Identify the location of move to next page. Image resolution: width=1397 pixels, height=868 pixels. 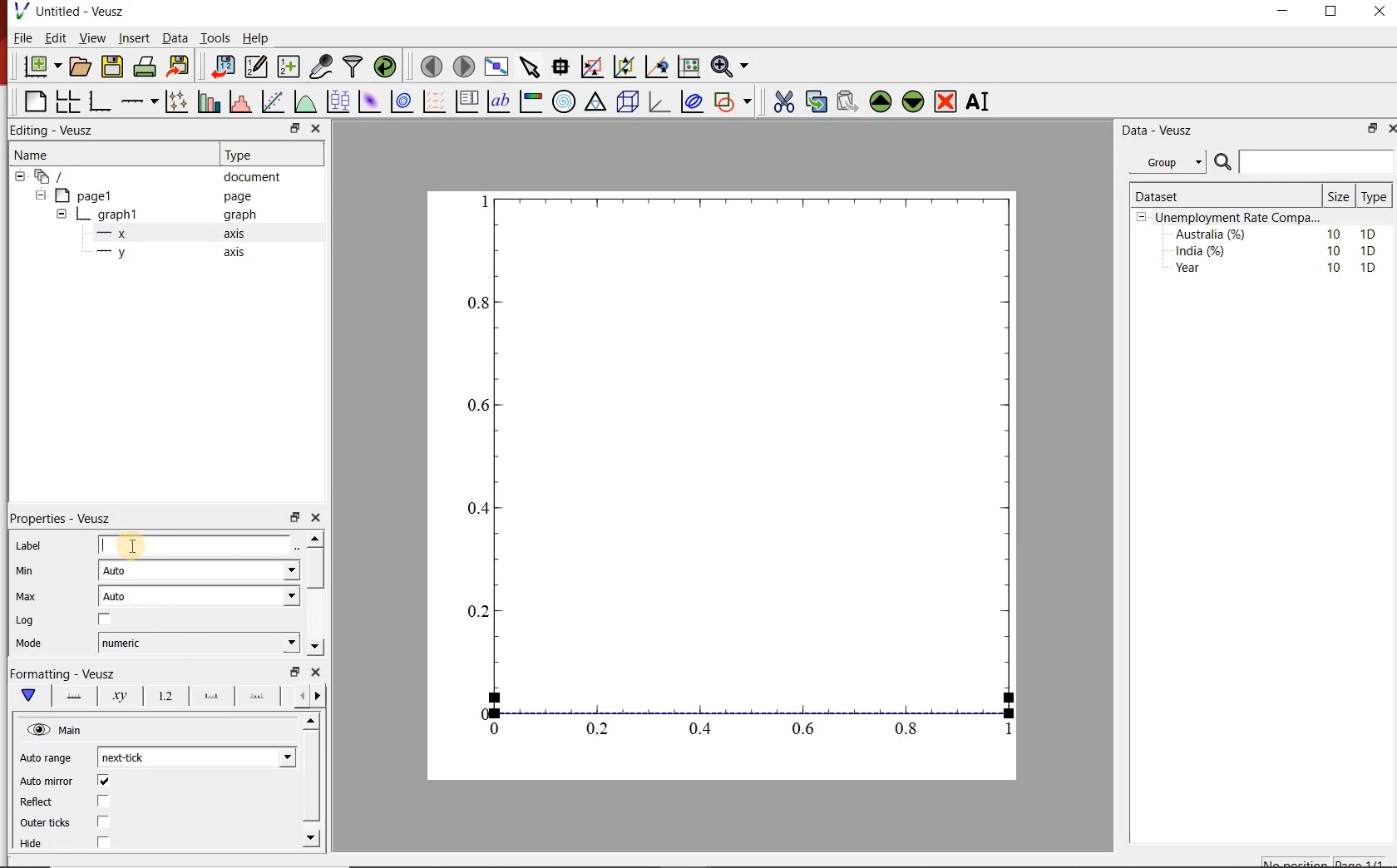
(465, 67).